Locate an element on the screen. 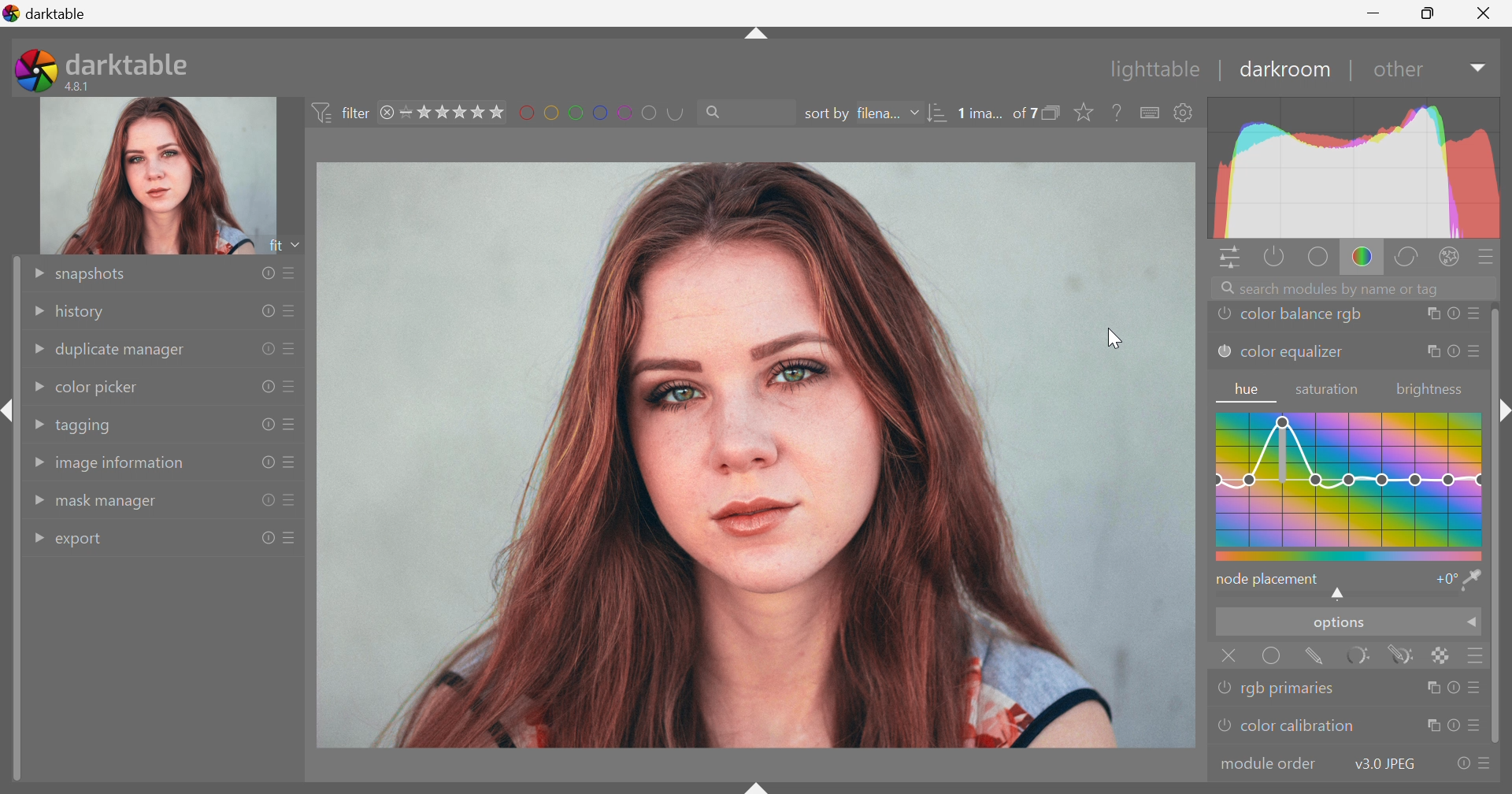 This screenshot has height=794, width=1512. 1 ima... of 7 is located at coordinates (998, 113).